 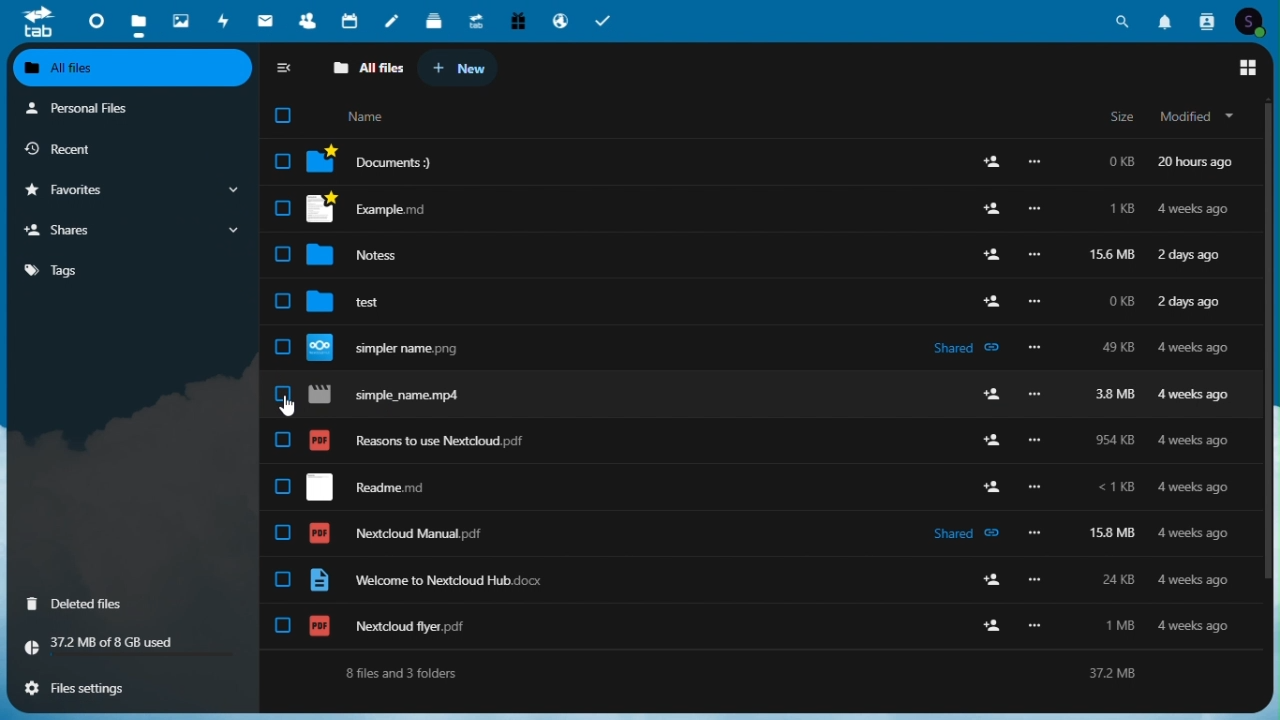 What do you see at coordinates (1126, 19) in the screenshot?
I see `Search` at bounding box center [1126, 19].